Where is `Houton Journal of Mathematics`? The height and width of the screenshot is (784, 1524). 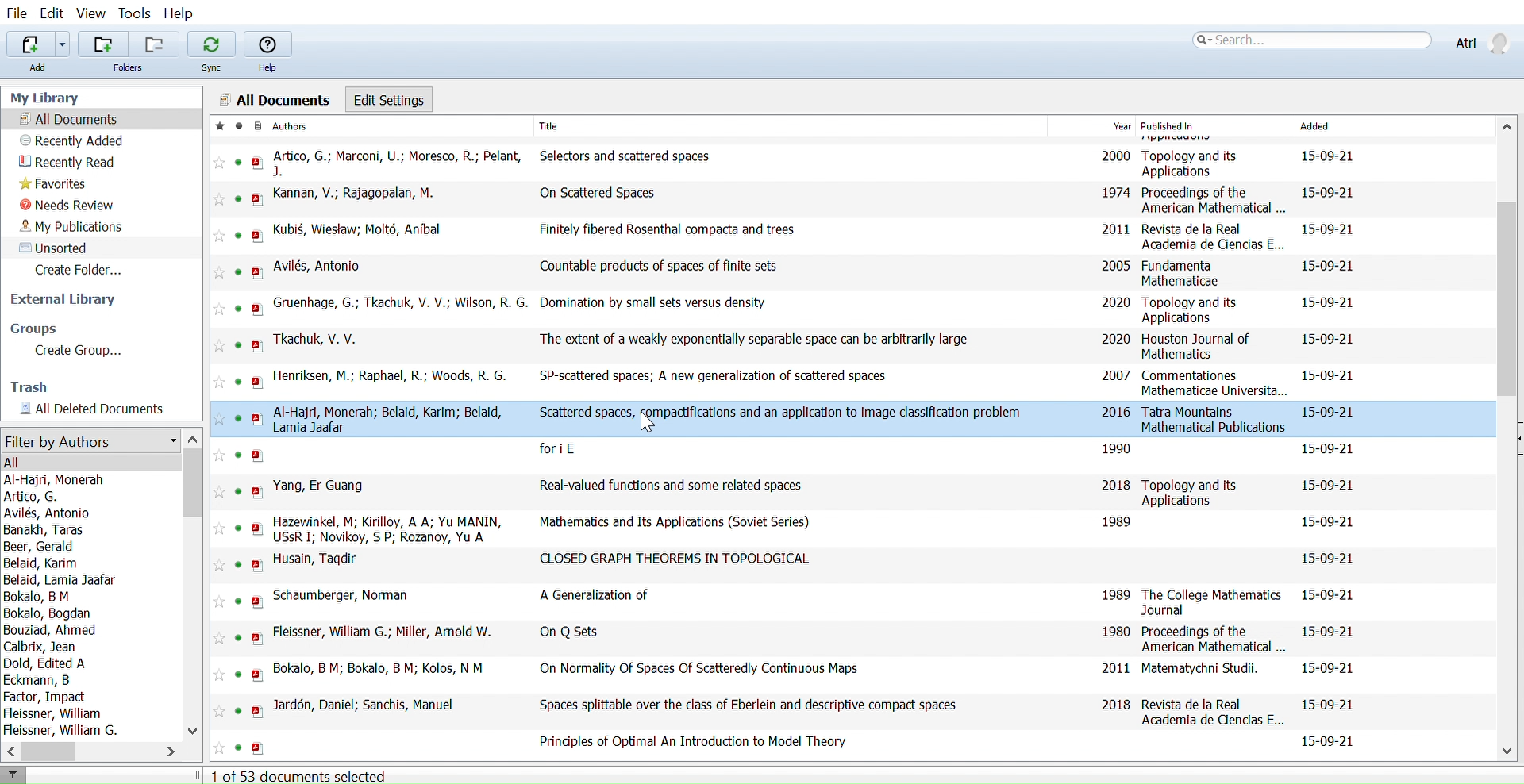 Houton Journal of Mathematics is located at coordinates (1199, 346).